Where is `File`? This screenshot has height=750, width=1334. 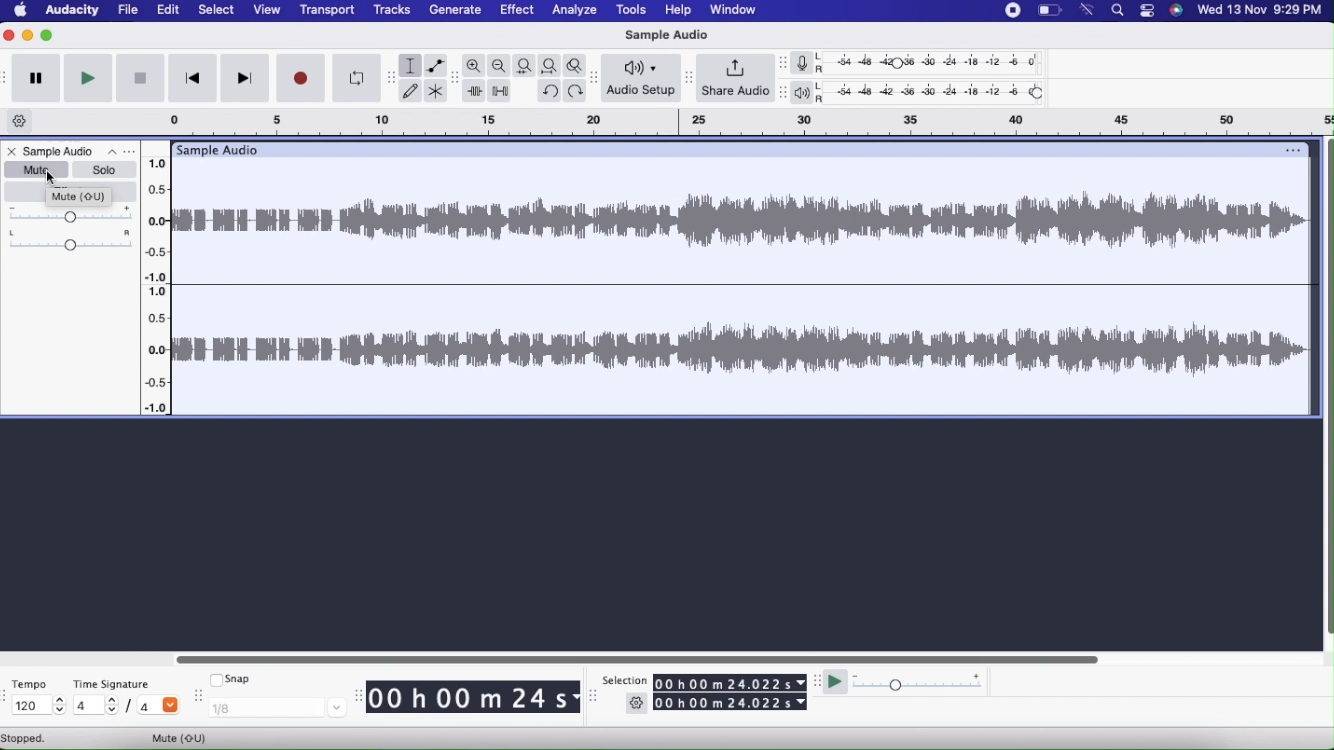
File is located at coordinates (128, 10).